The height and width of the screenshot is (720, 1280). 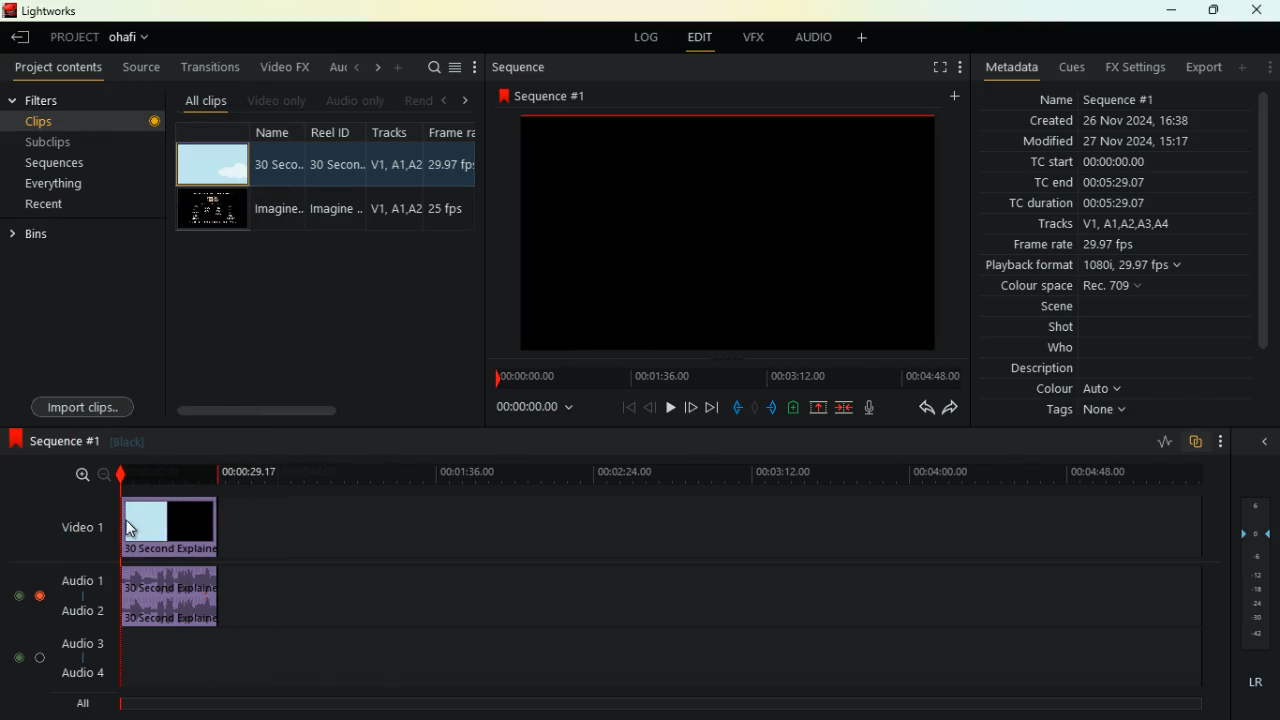 I want to click on battery, so click(x=792, y=409).